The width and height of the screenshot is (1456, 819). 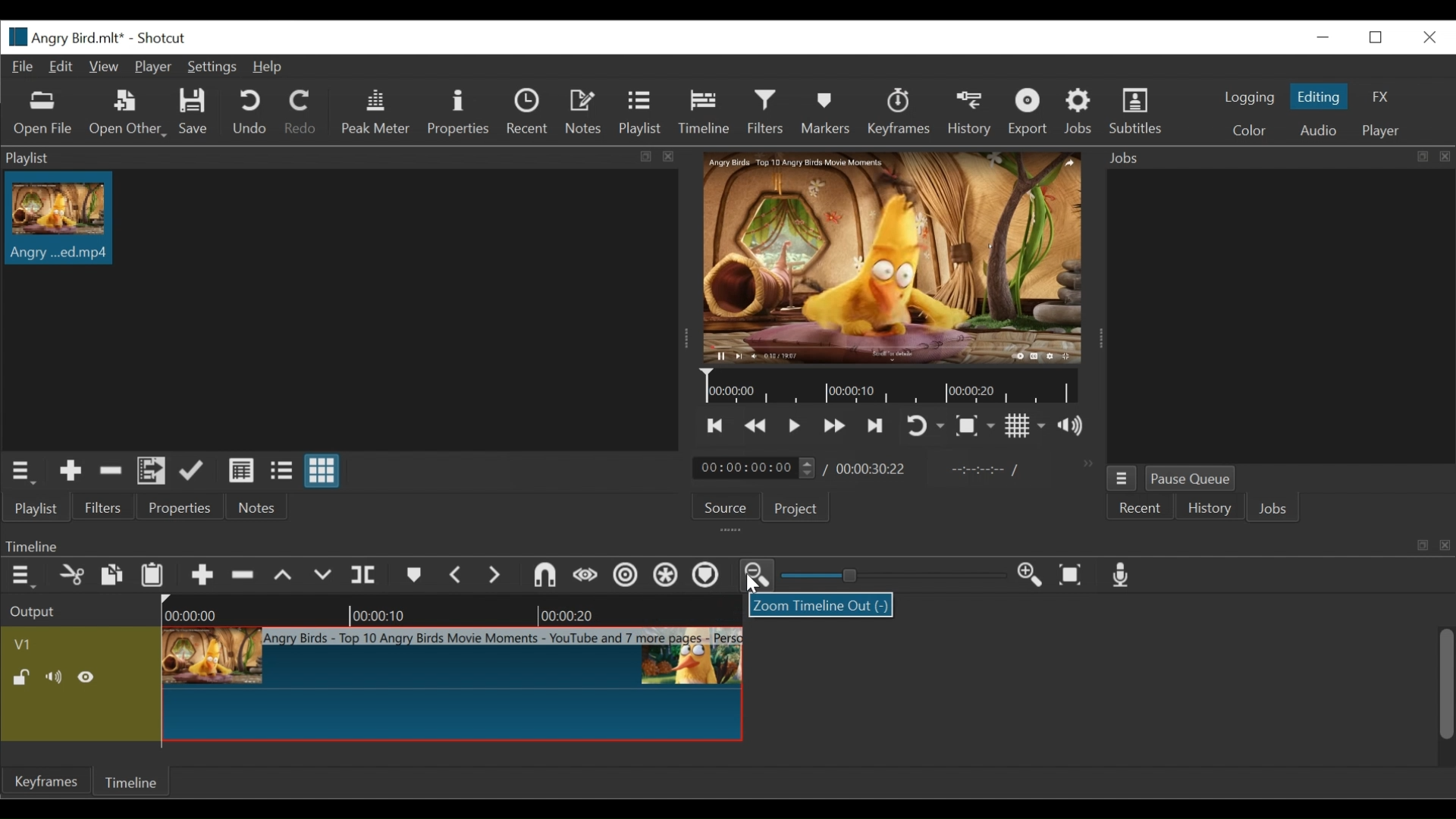 I want to click on Jobs Panel, so click(x=1280, y=315).